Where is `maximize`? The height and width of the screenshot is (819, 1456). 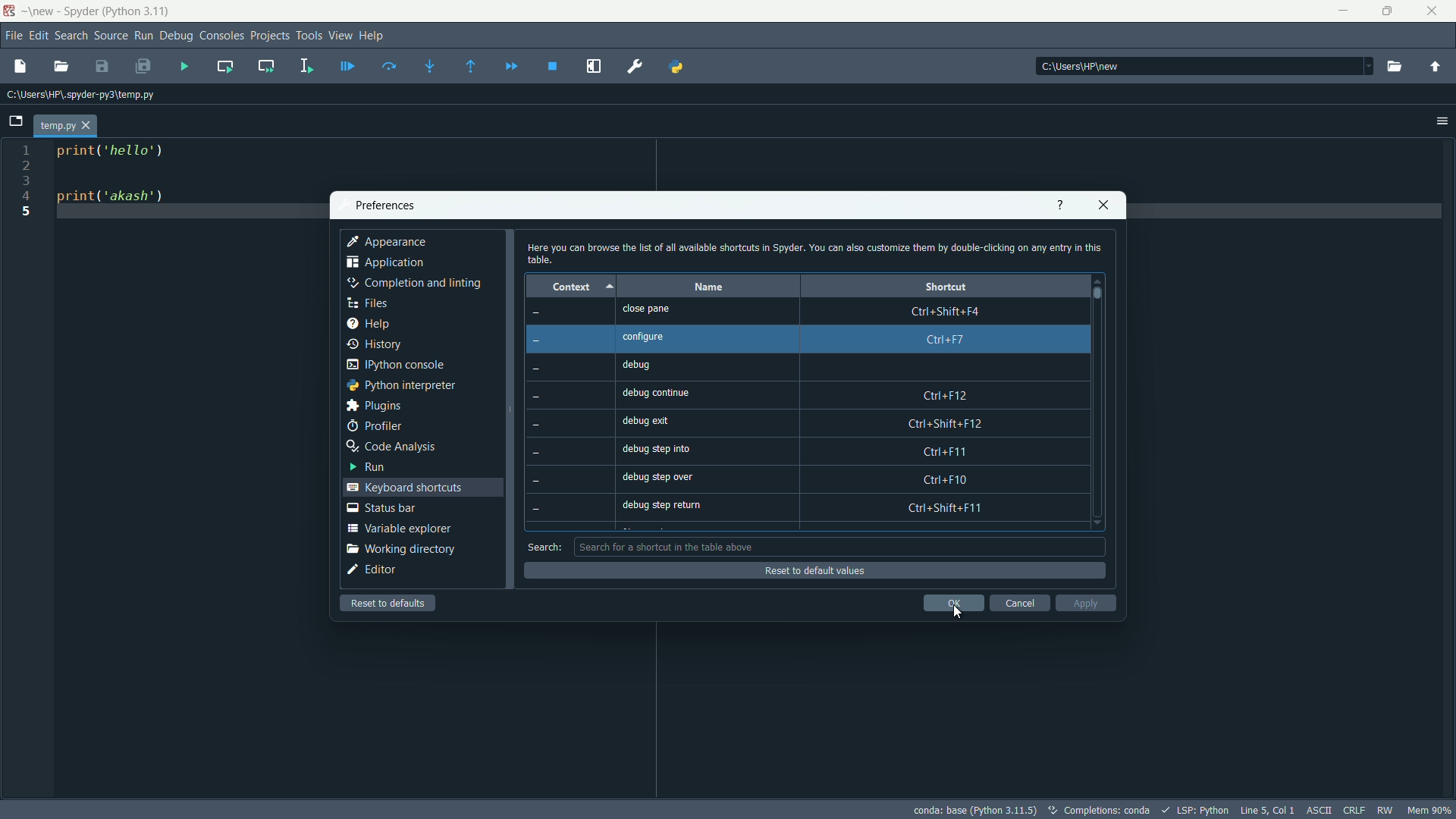
maximize is located at coordinates (1390, 11).